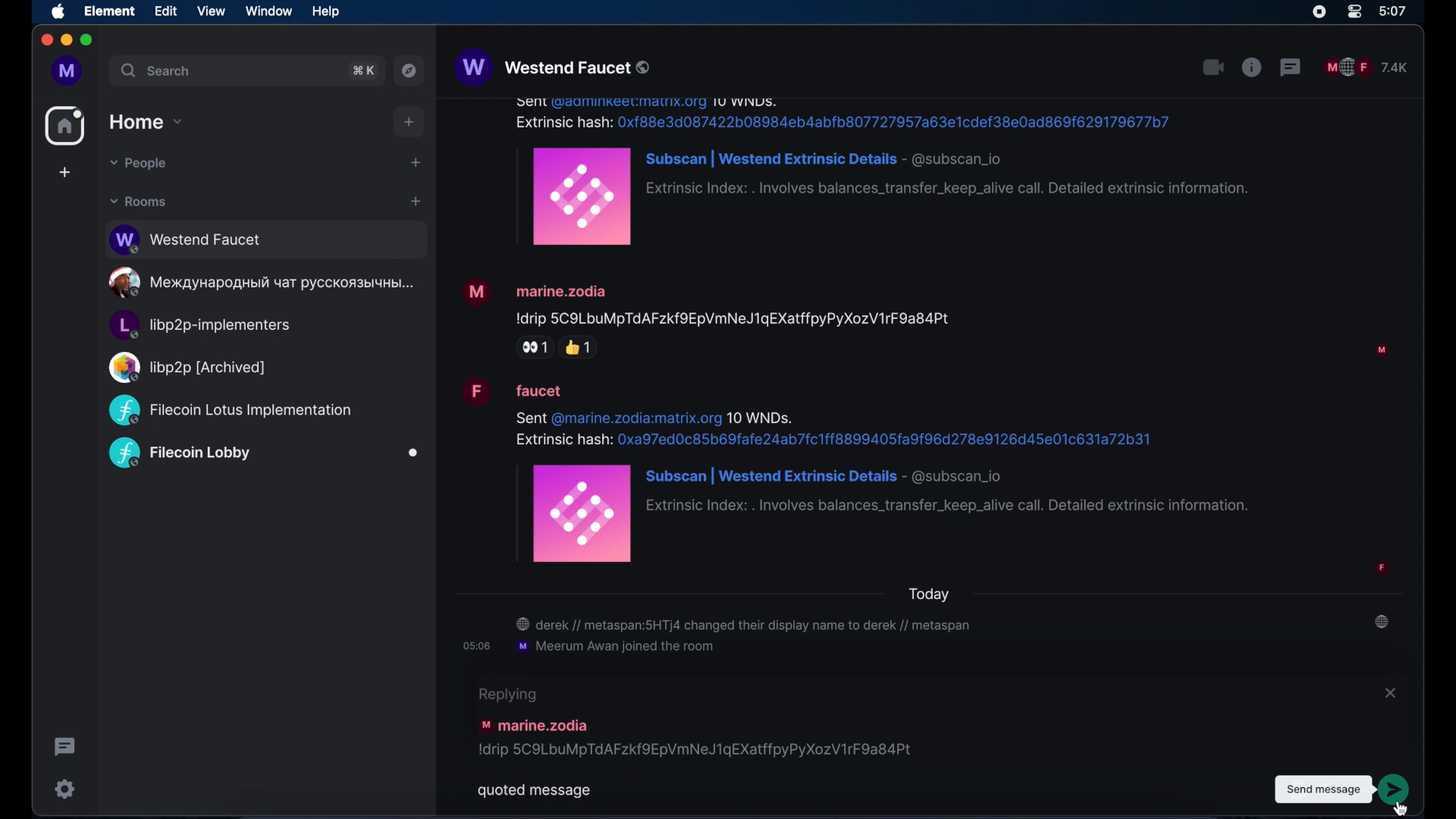  What do you see at coordinates (927, 318) in the screenshot?
I see `message` at bounding box center [927, 318].